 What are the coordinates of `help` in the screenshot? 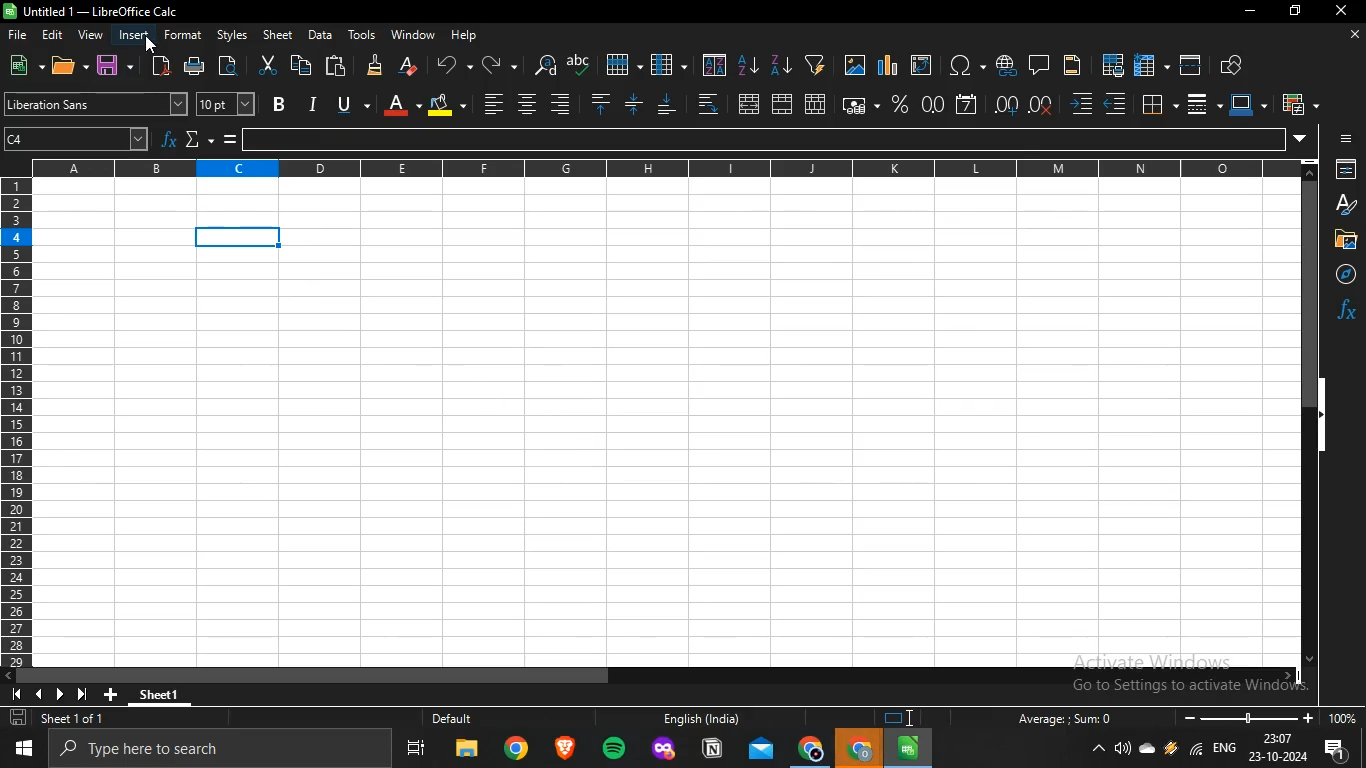 It's located at (467, 36).